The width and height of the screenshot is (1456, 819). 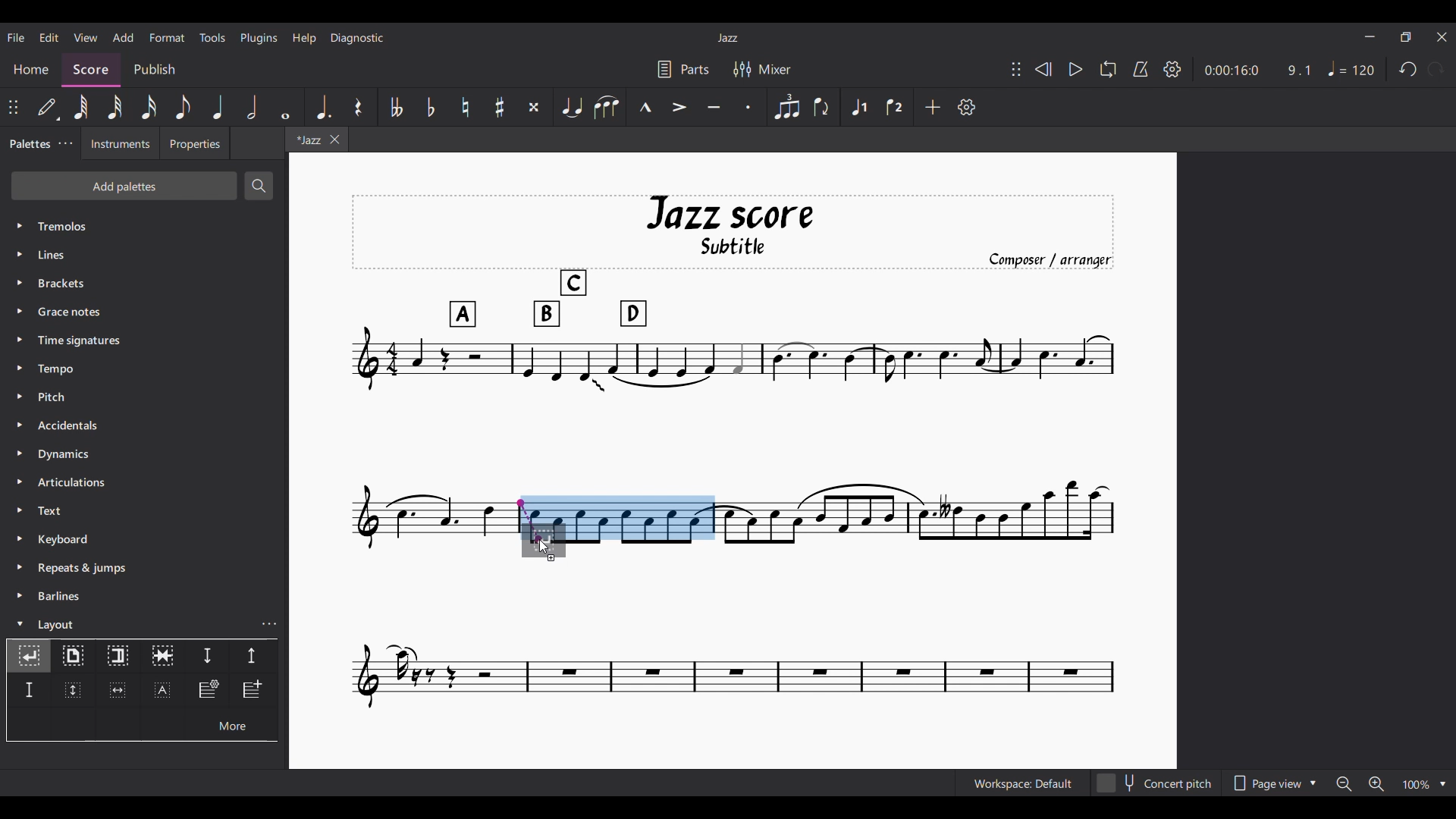 I want to click on 0:00:16:0, so click(x=1231, y=71).